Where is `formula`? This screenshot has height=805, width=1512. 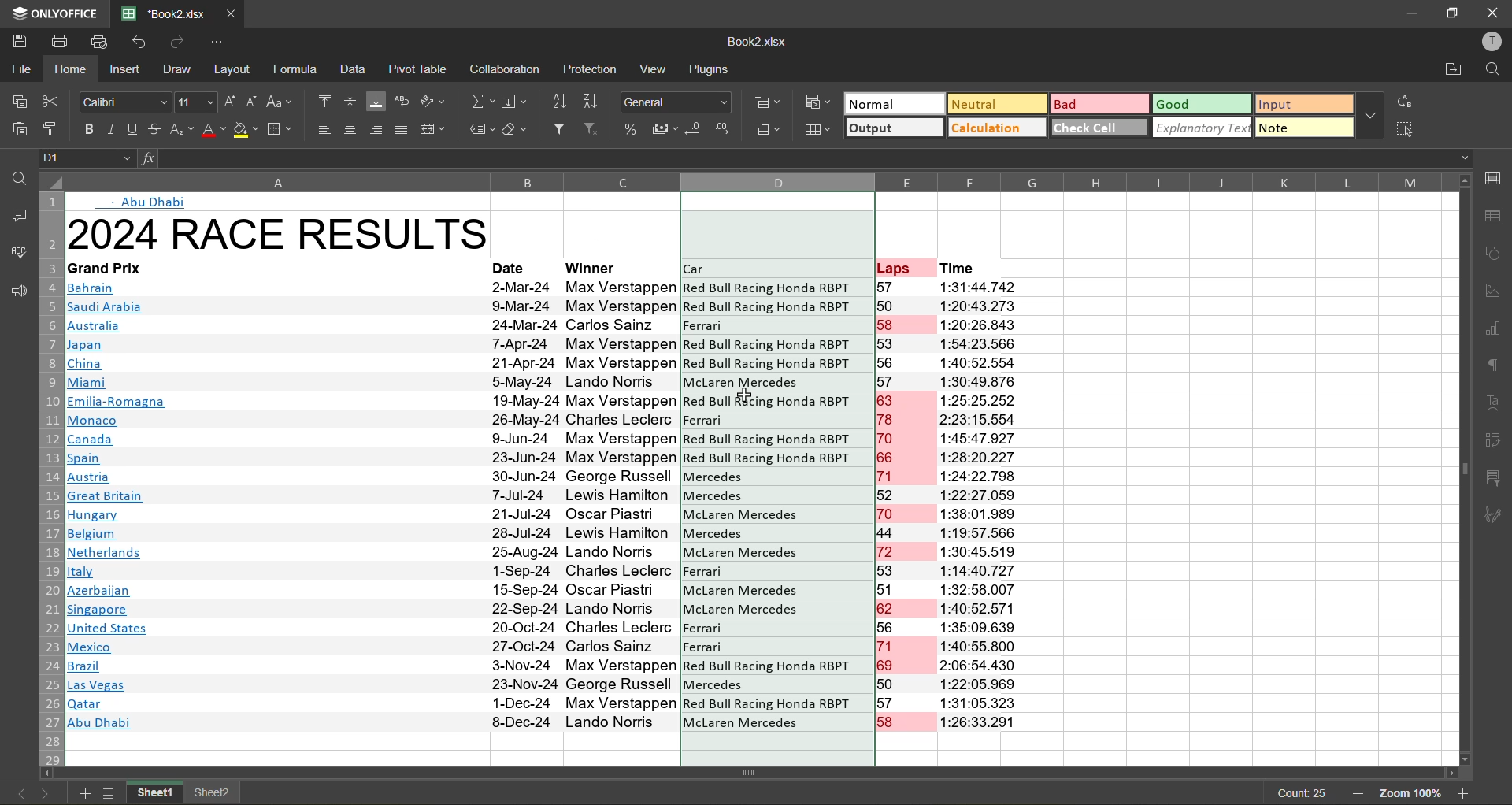
formula is located at coordinates (298, 69).